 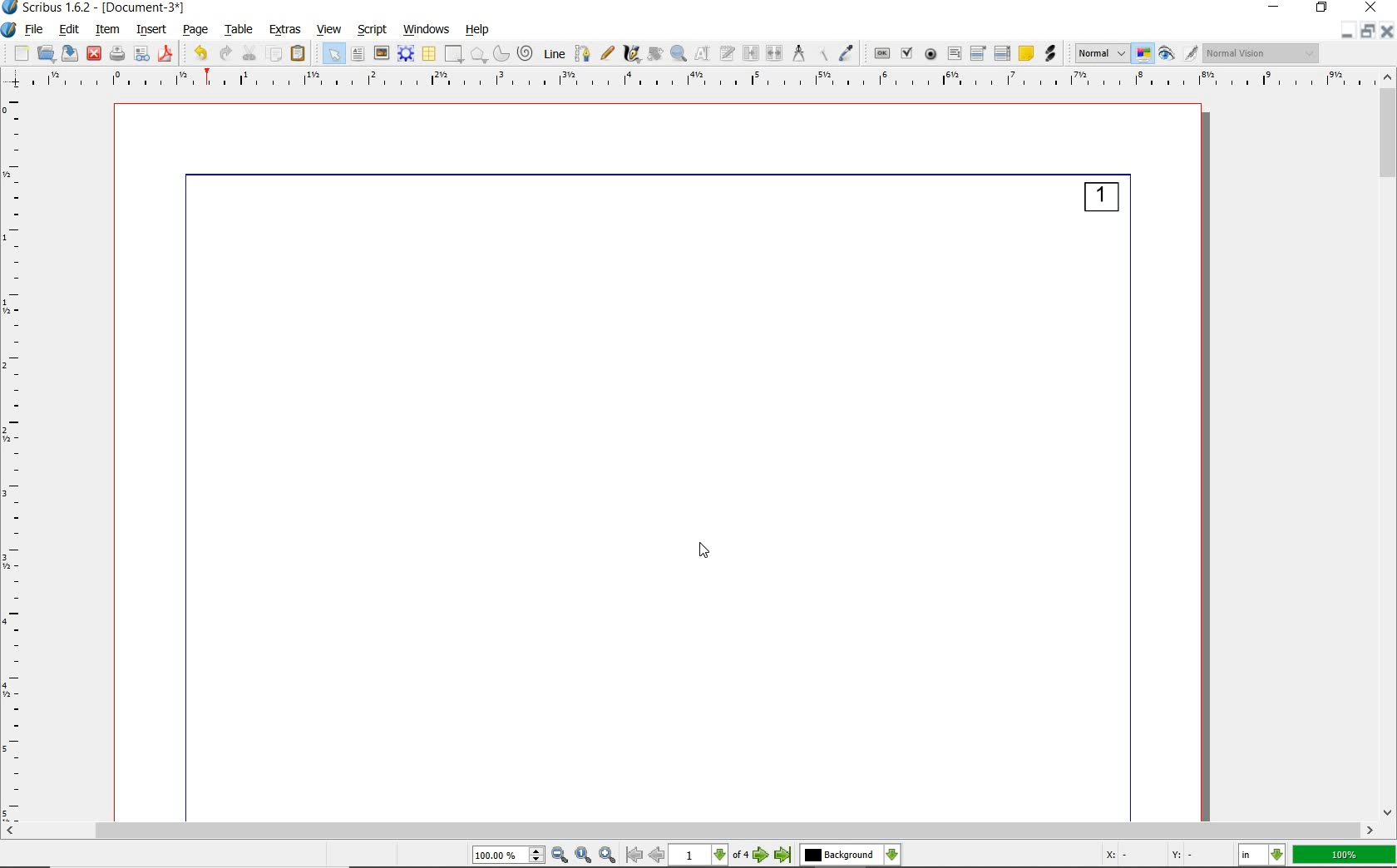 What do you see at coordinates (95, 53) in the screenshot?
I see `close` at bounding box center [95, 53].